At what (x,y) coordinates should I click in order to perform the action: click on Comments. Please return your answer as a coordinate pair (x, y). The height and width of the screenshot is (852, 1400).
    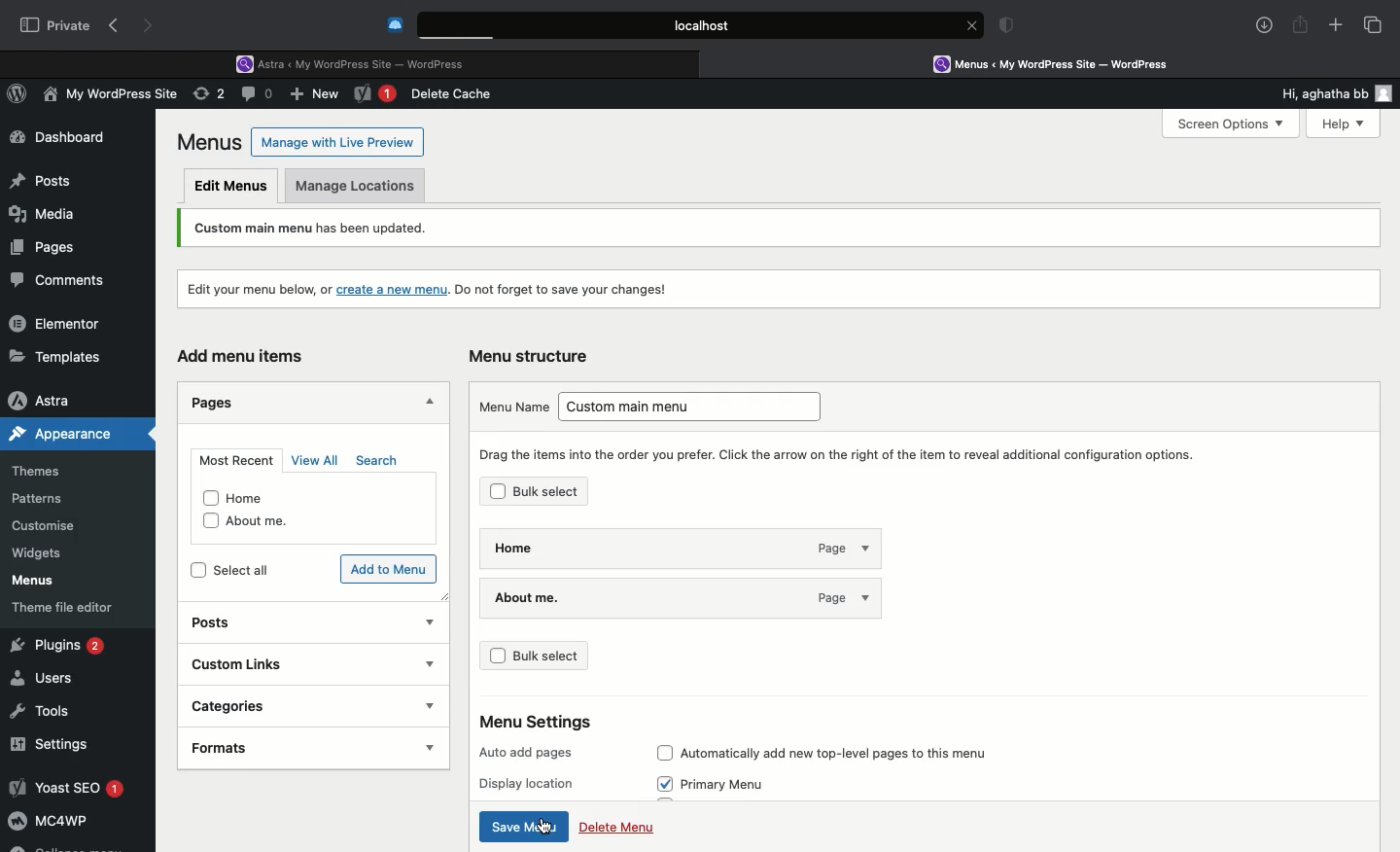
    Looking at the image, I should click on (66, 281).